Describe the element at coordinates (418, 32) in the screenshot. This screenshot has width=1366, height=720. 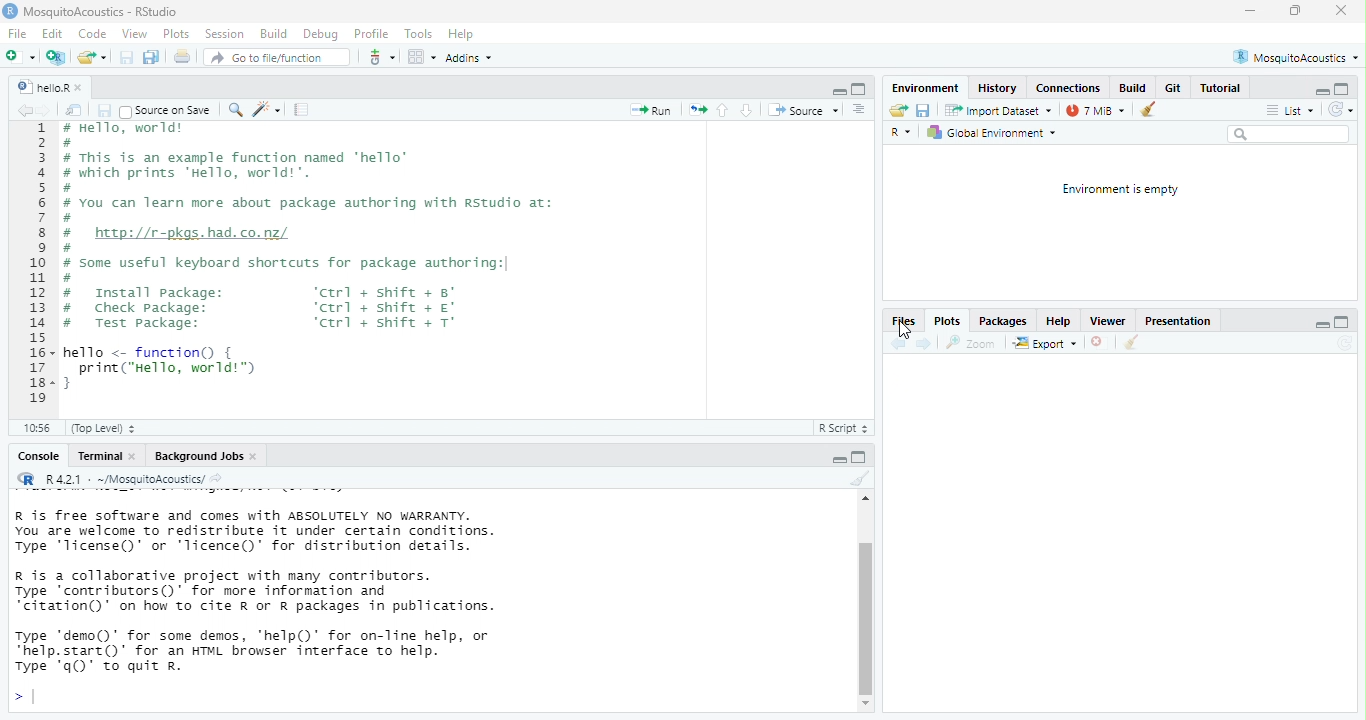
I see `Tools` at that location.